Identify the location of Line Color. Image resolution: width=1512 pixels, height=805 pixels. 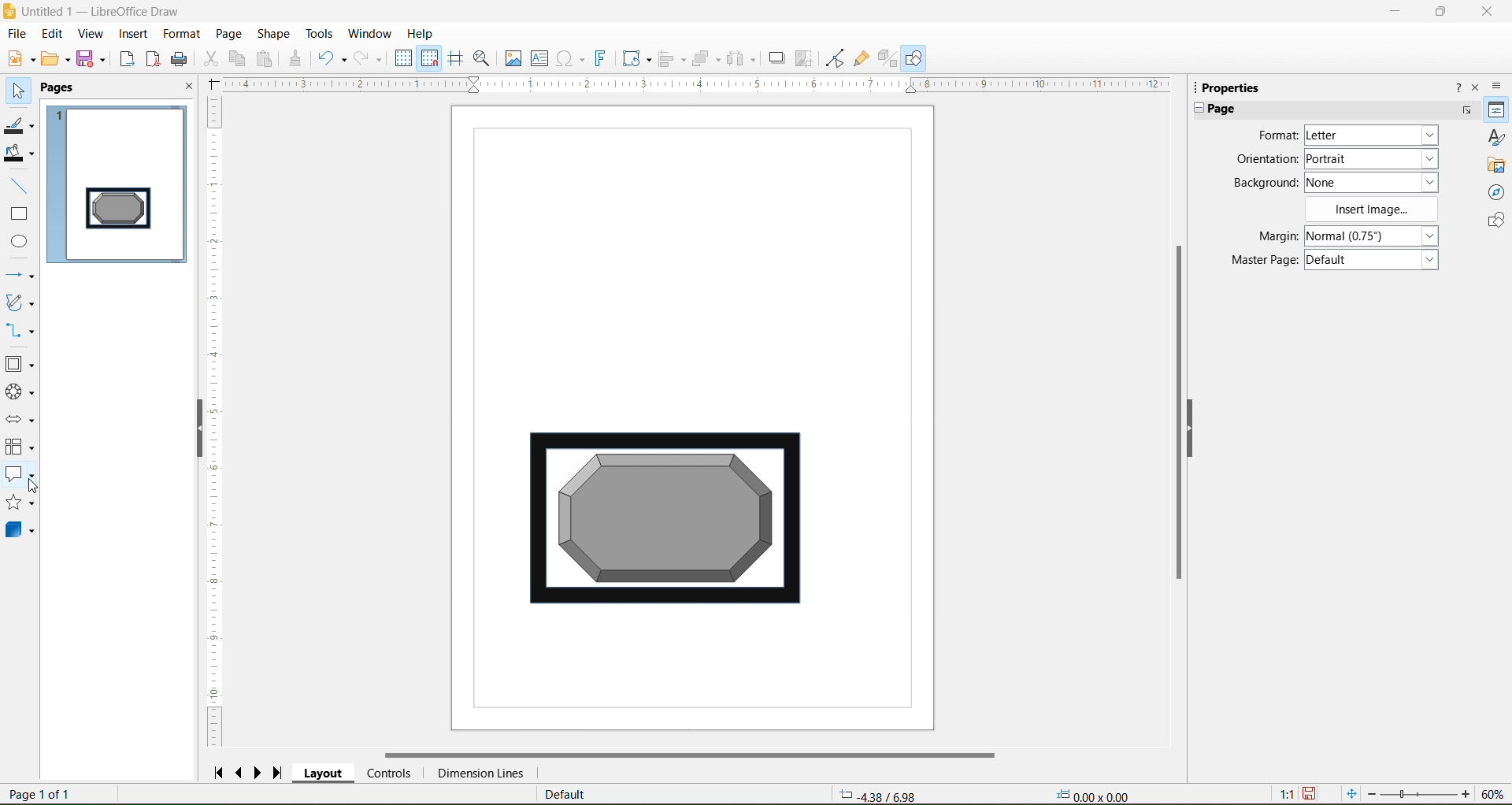
(20, 127).